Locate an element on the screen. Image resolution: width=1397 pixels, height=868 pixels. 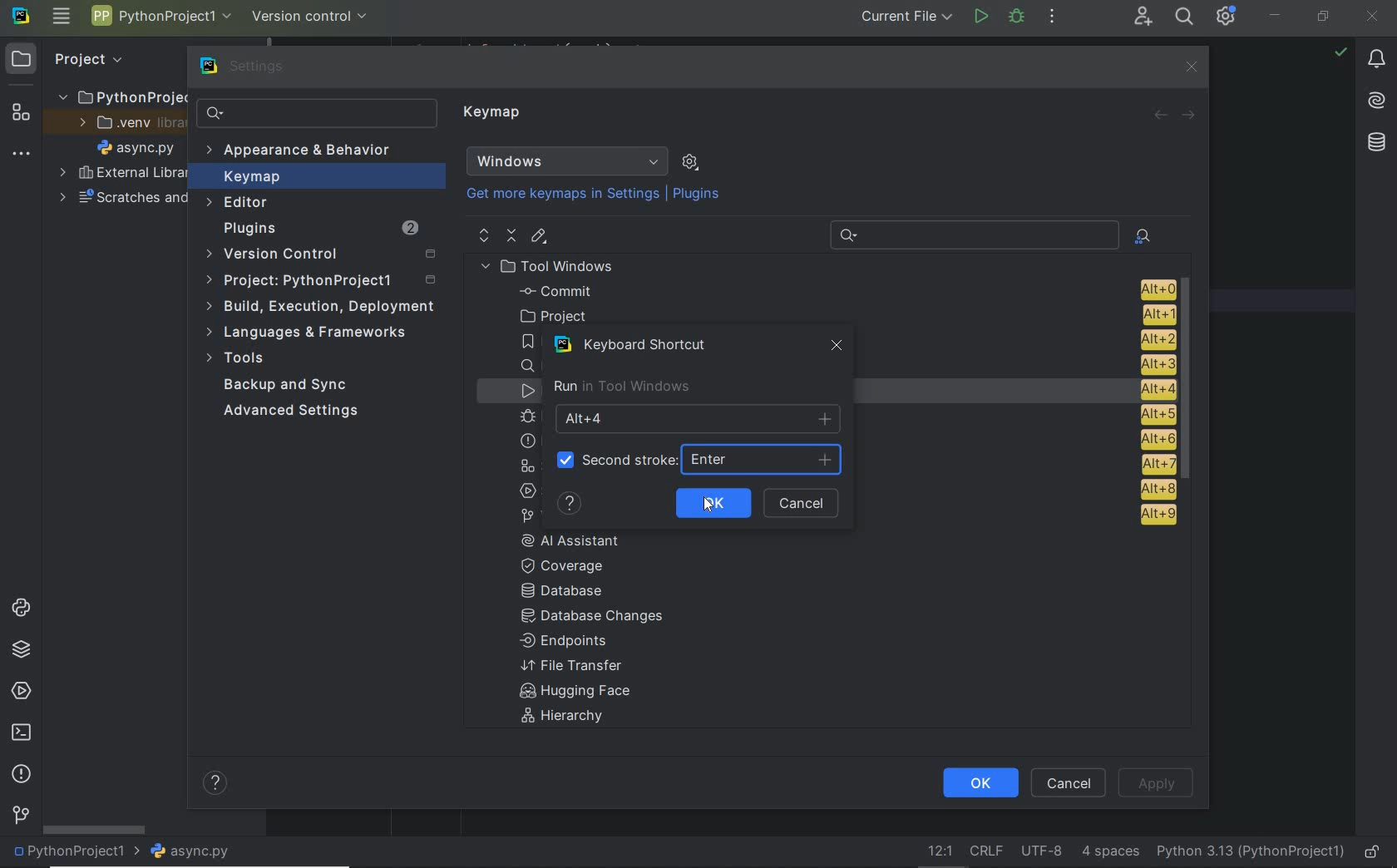
alt + 9 is located at coordinates (1155, 518).